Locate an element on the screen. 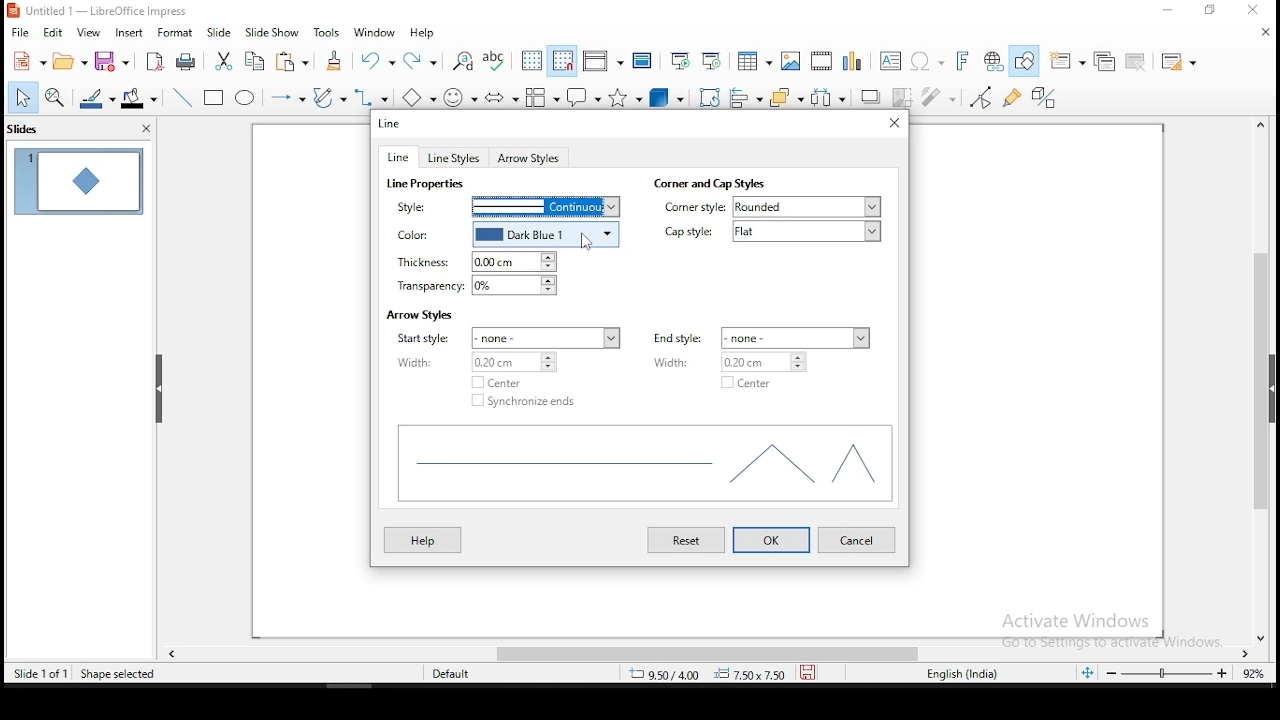 The height and width of the screenshot is (720, 1280). 9.50/4.00 7.50x7.50 is located at coordinates (699, 675).